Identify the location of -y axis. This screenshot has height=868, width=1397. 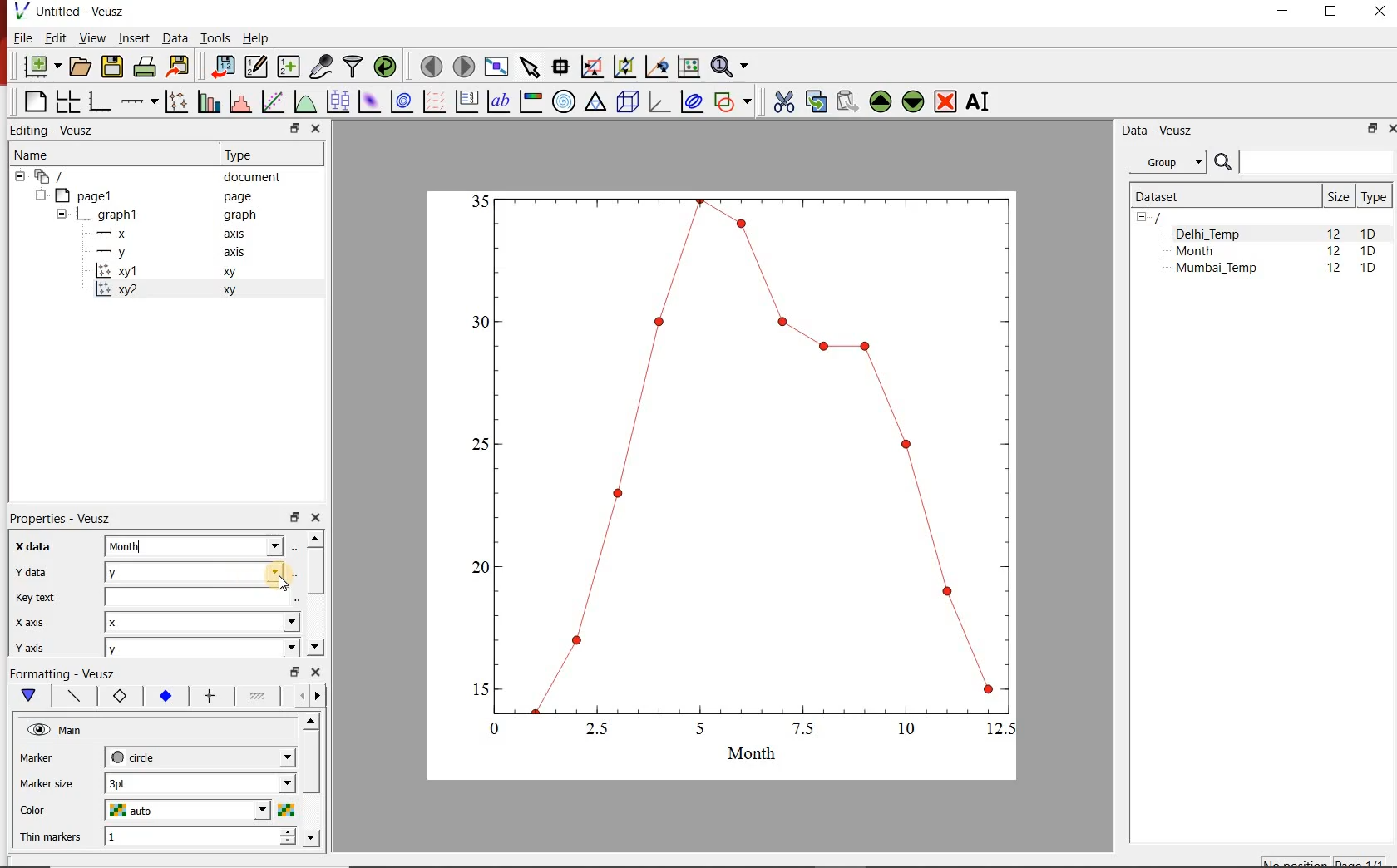
(164, 254).